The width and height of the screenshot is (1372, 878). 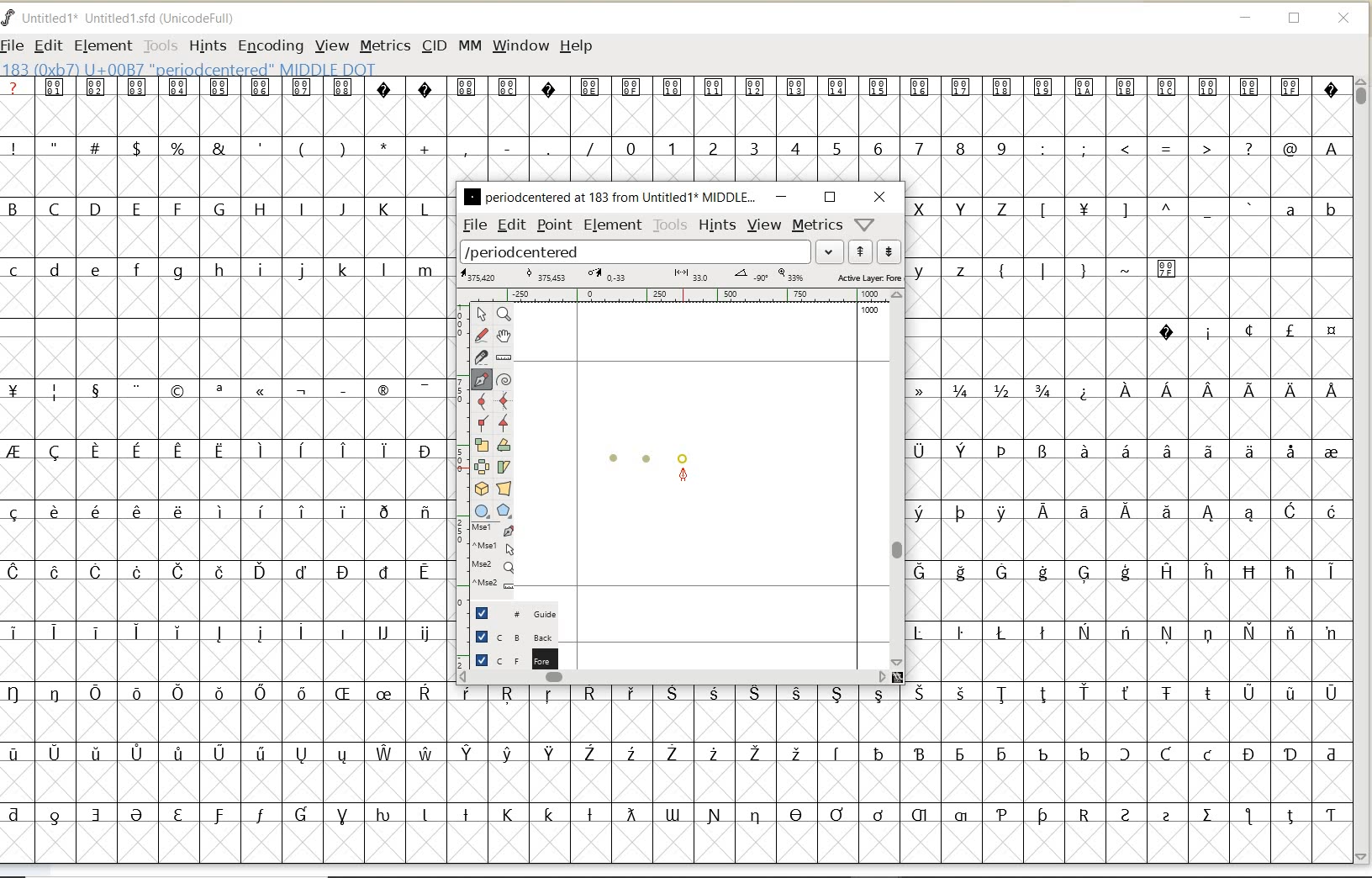 I want to click on edit, so click(x=510, y=225).